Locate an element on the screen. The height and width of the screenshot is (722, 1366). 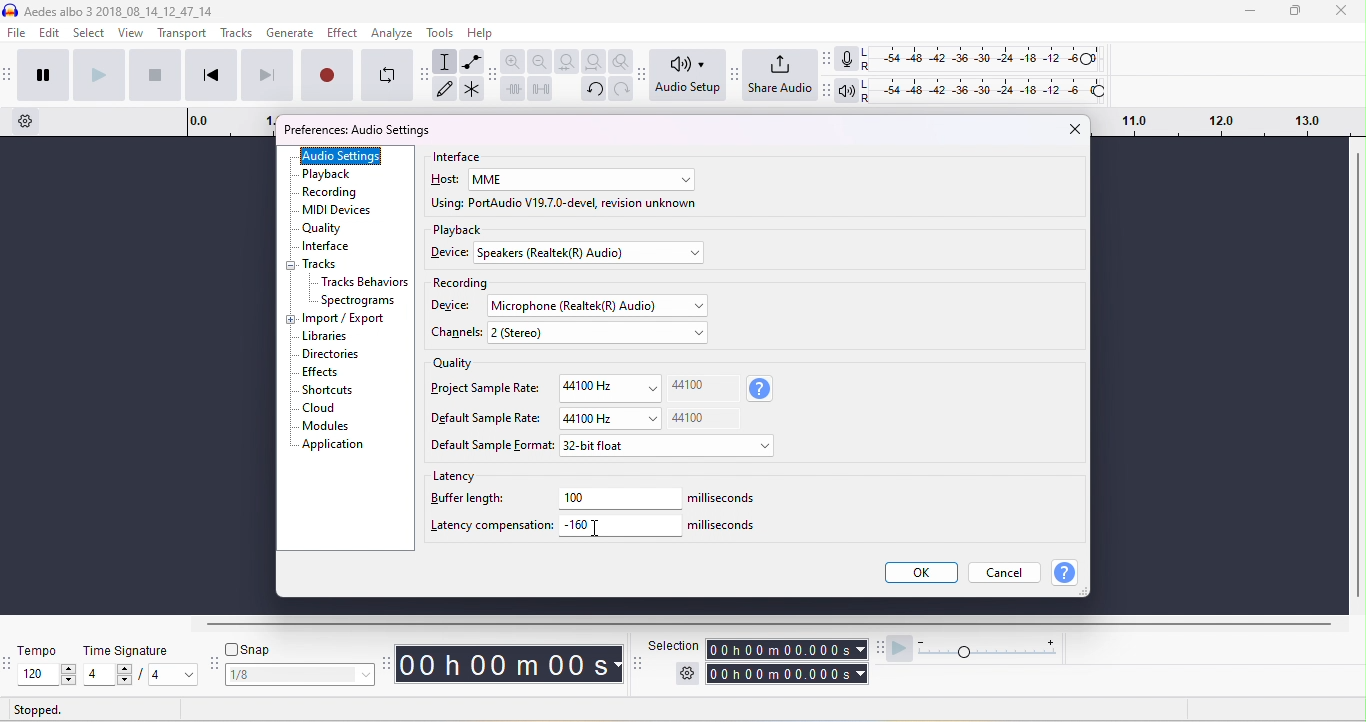
project sample rate is located at coordinates (487, 387).